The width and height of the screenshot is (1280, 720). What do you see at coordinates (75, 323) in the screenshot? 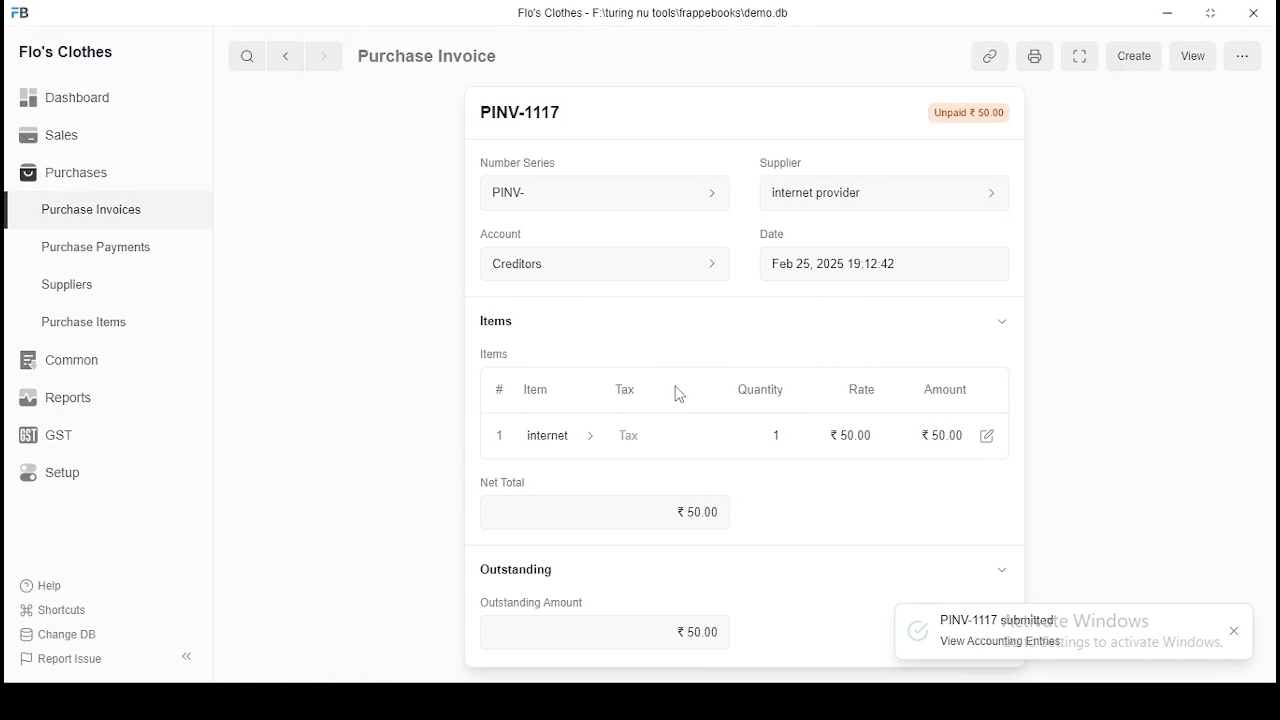
I see `Purchase ltems` at bounding box center [75, 323].